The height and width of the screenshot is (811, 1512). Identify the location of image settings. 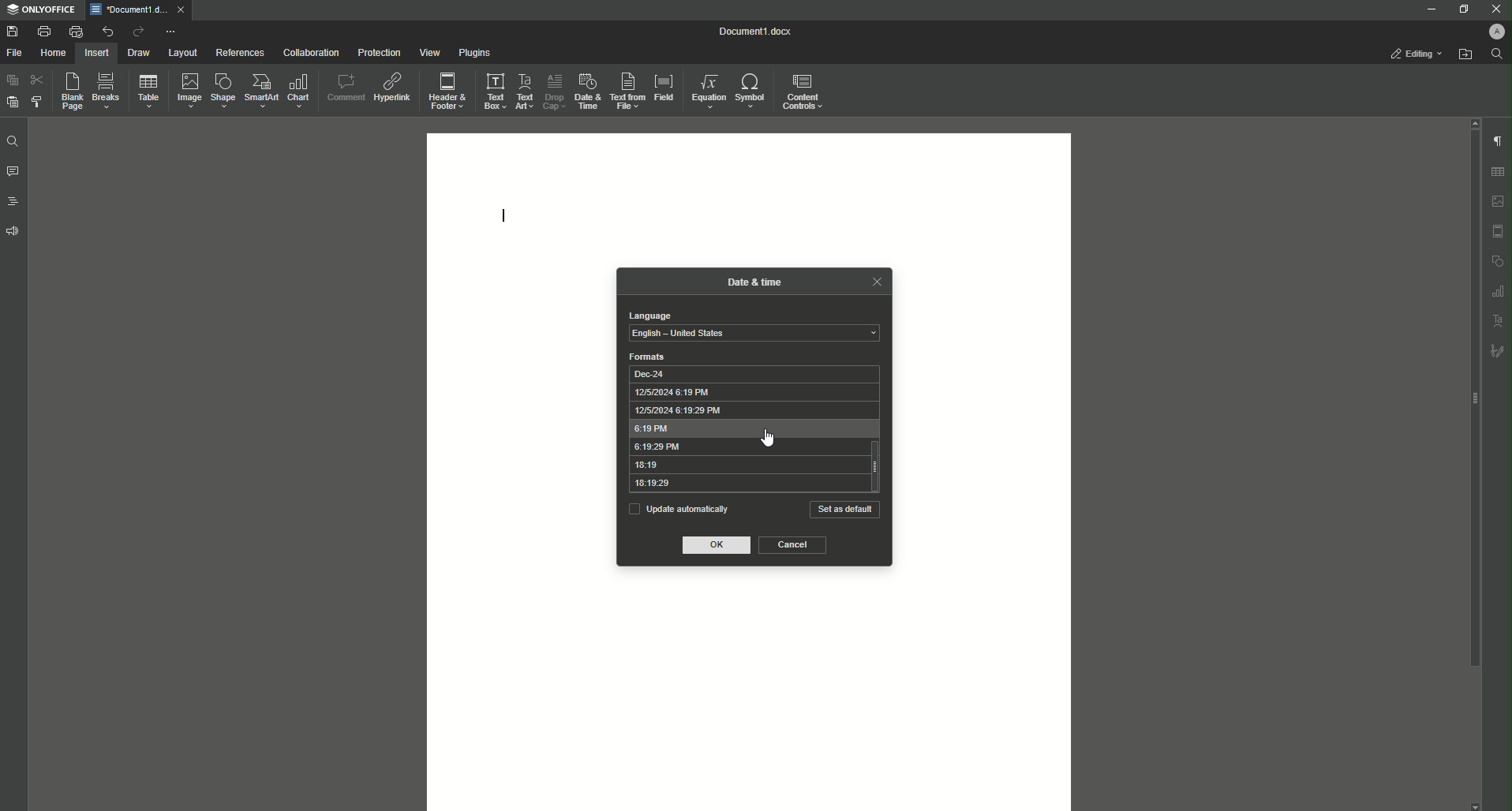
(1499, 201).